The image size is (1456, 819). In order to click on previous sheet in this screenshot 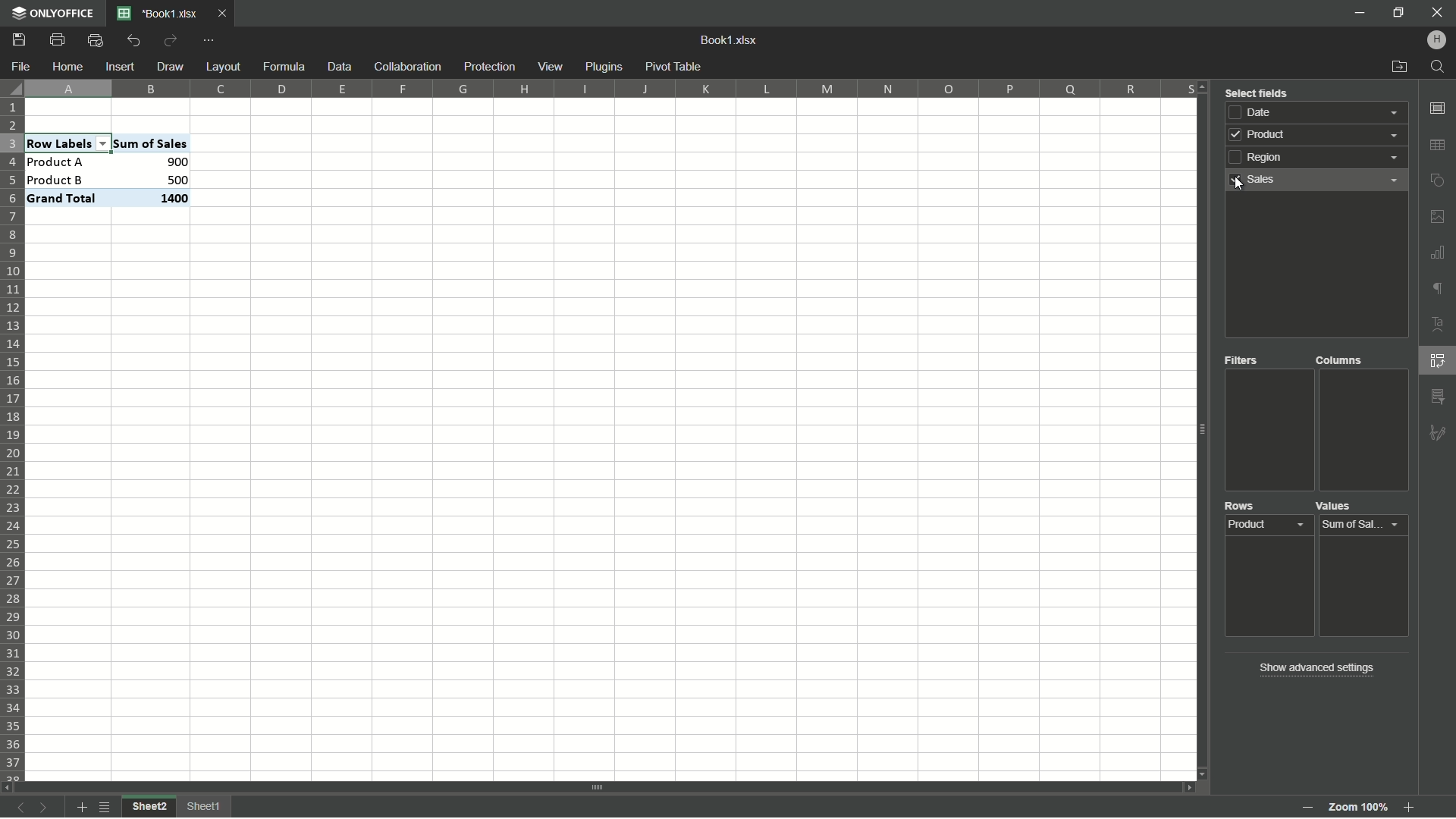, I will do `click(19, 810)`.